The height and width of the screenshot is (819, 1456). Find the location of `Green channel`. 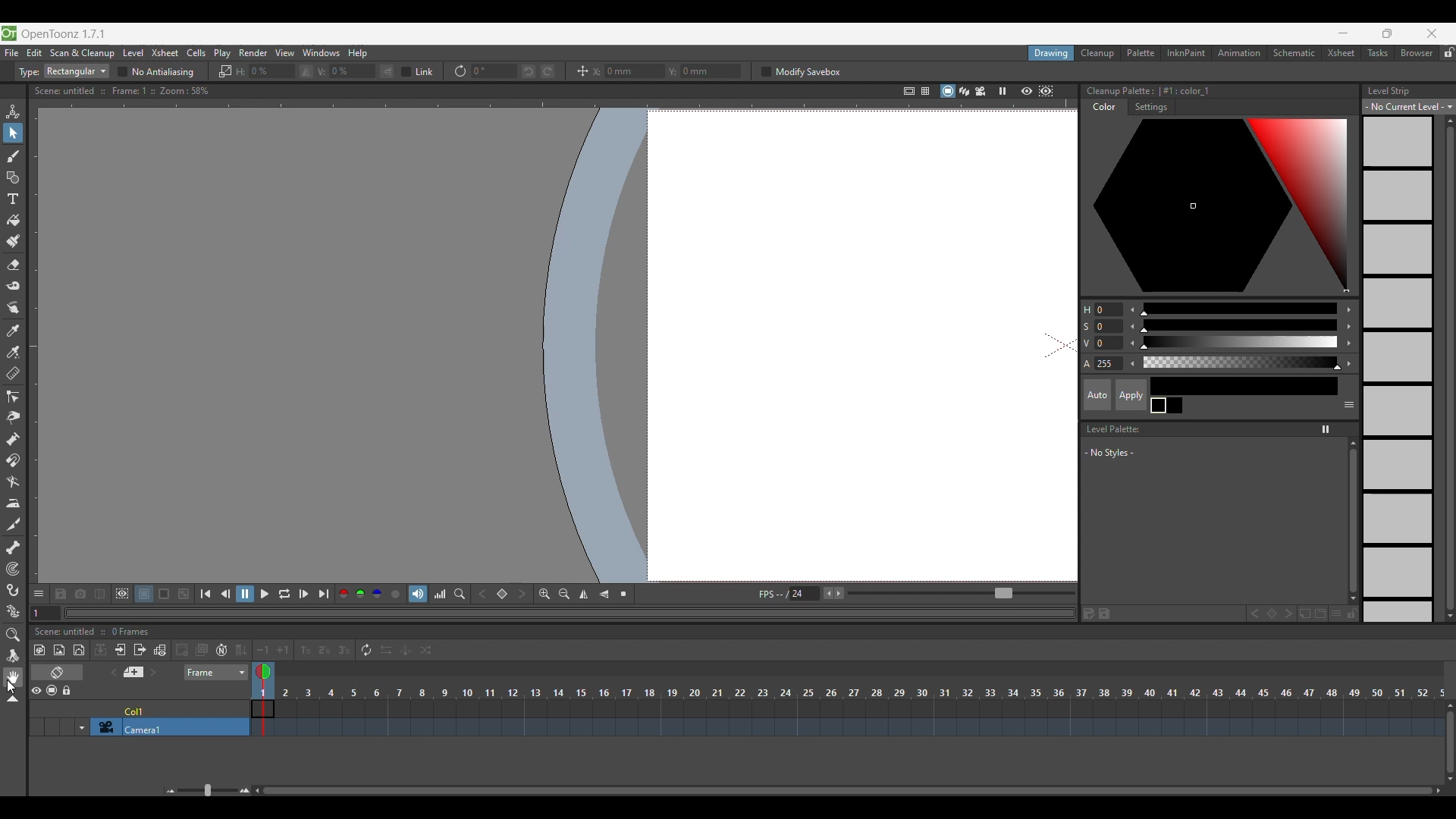

Green channel is located at coordinates (360, 591).